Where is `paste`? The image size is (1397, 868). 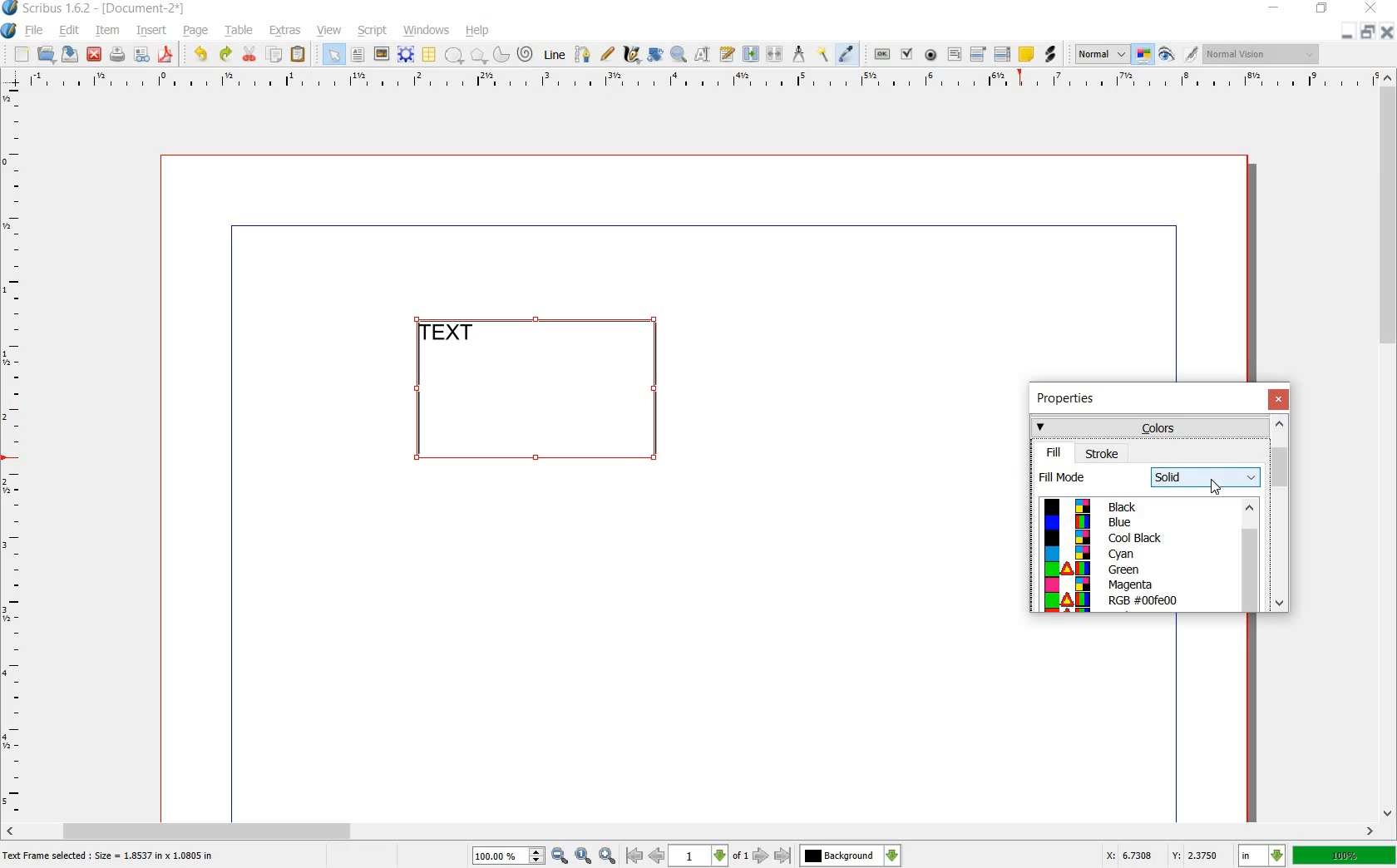
paste is located at coordinates (299, 55).